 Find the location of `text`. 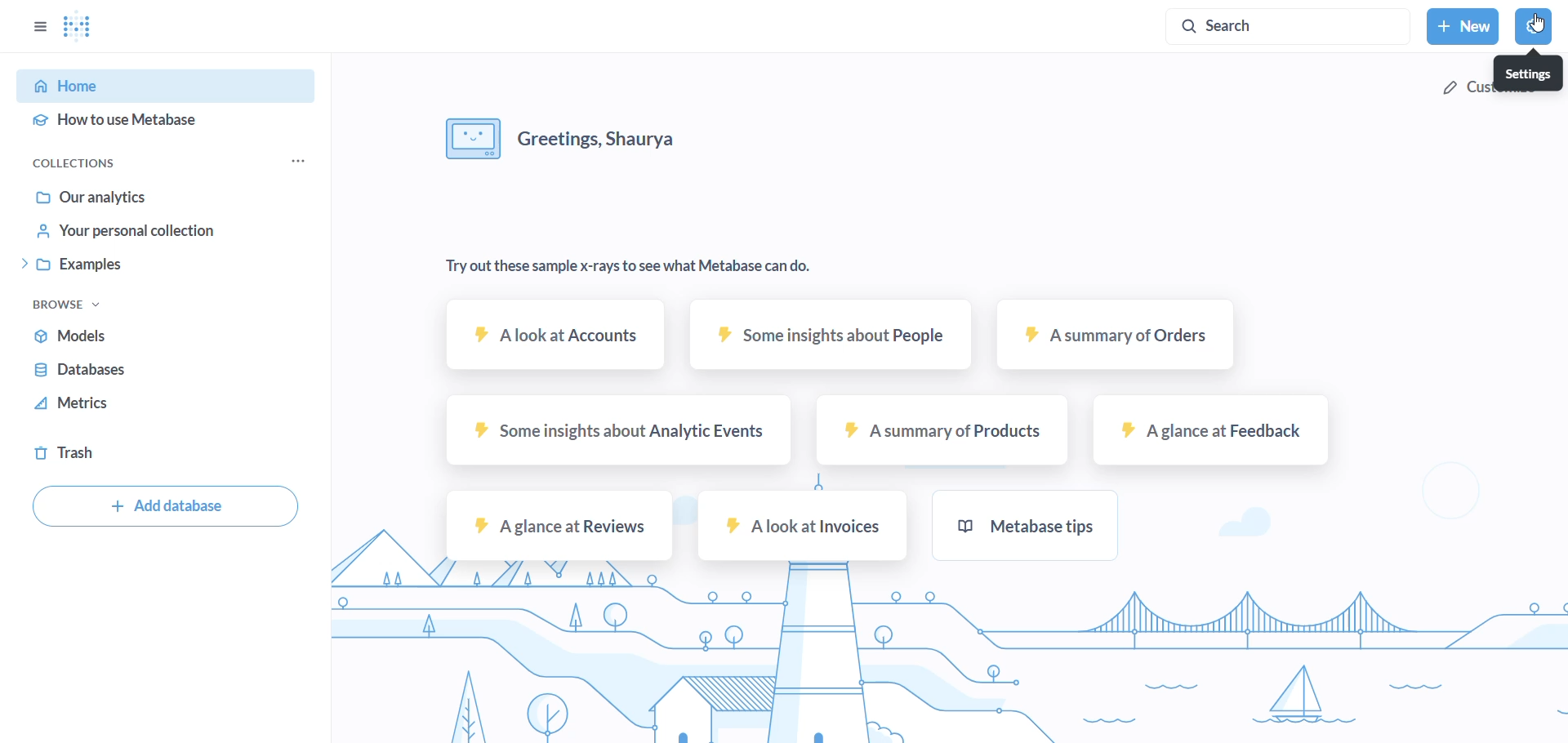

text is located at coordinates (620, 269).